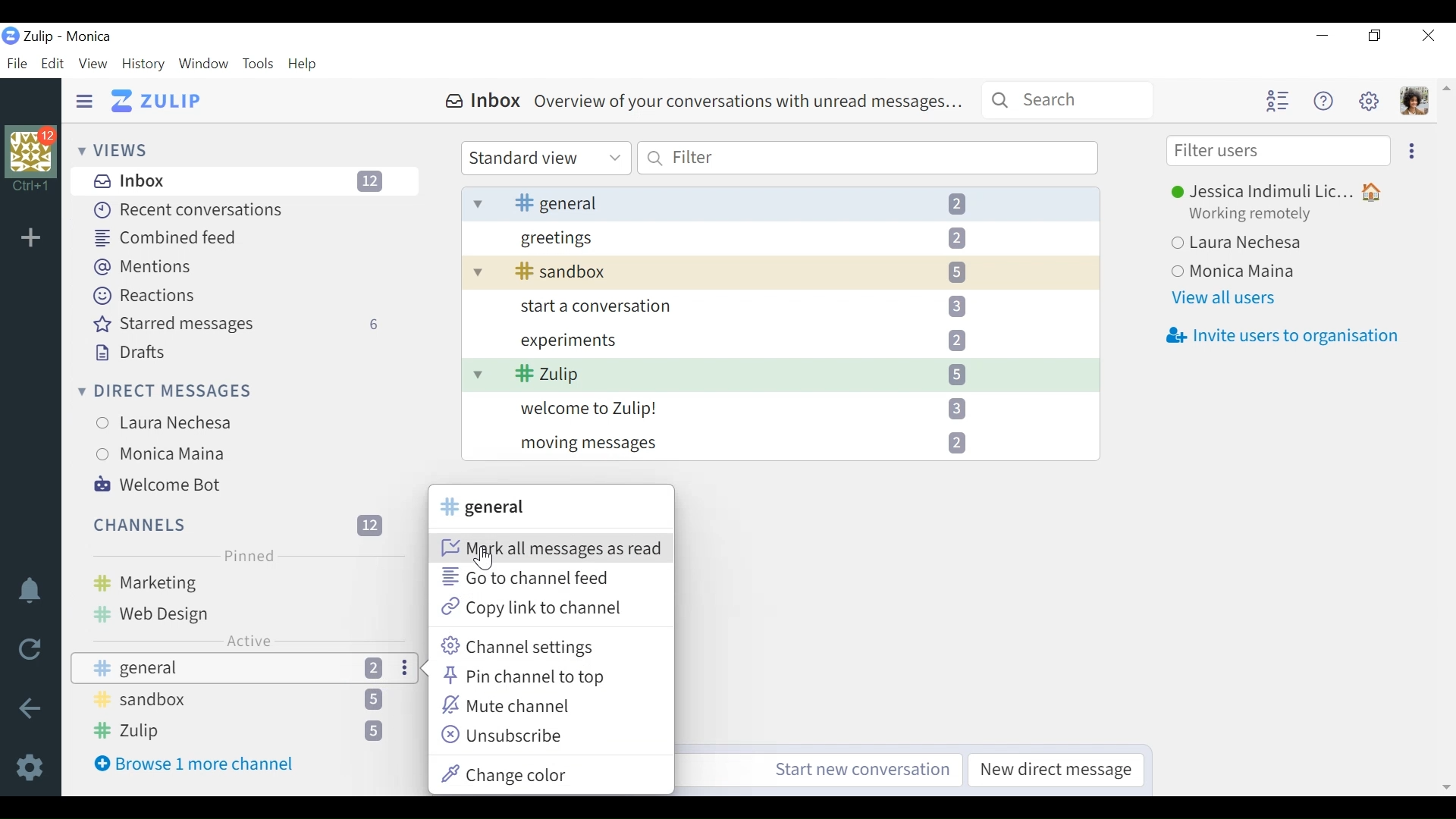  I want to click on Welcome Bot, so click(161, 483).